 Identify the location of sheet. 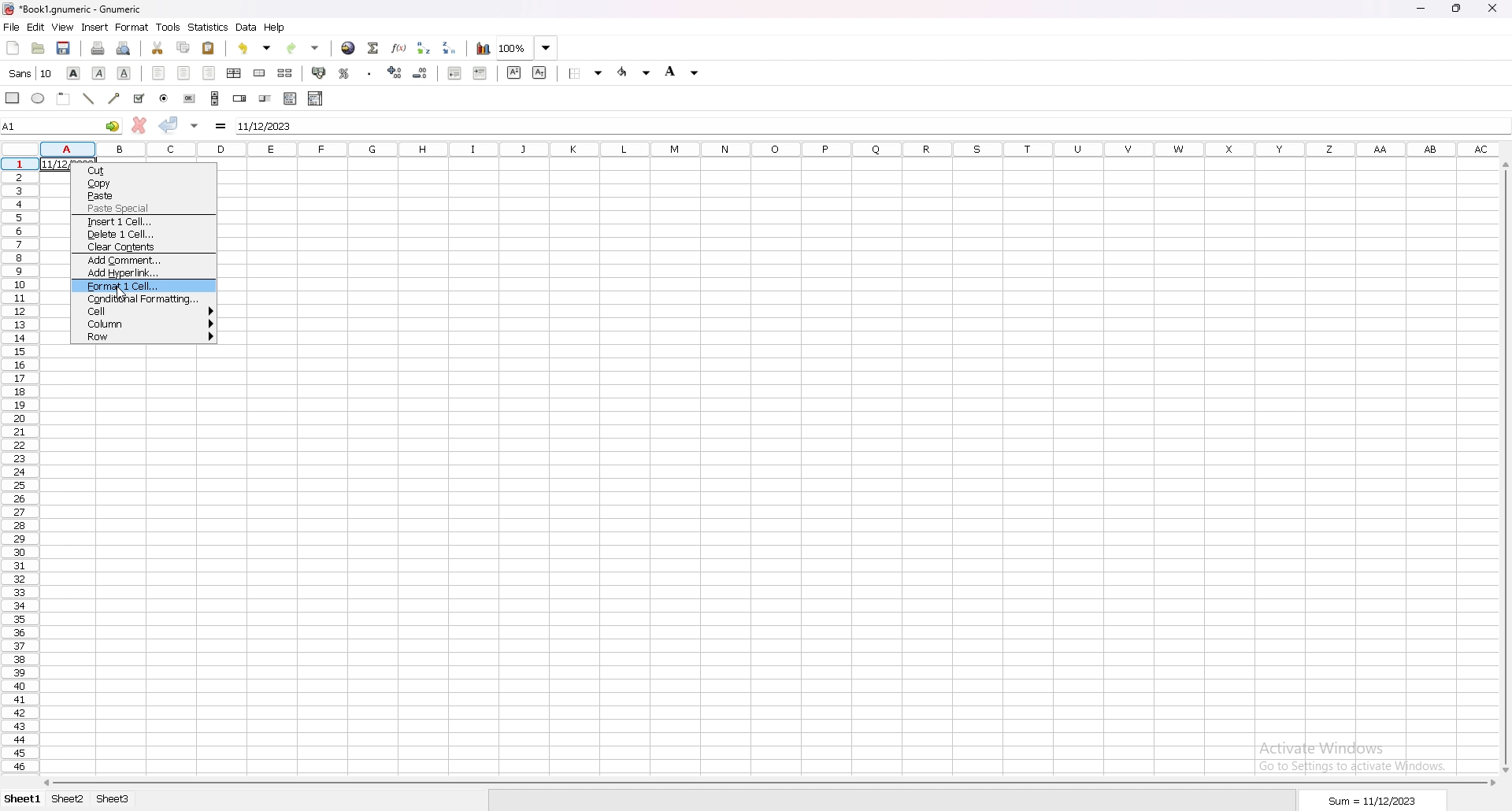
(69, 801).